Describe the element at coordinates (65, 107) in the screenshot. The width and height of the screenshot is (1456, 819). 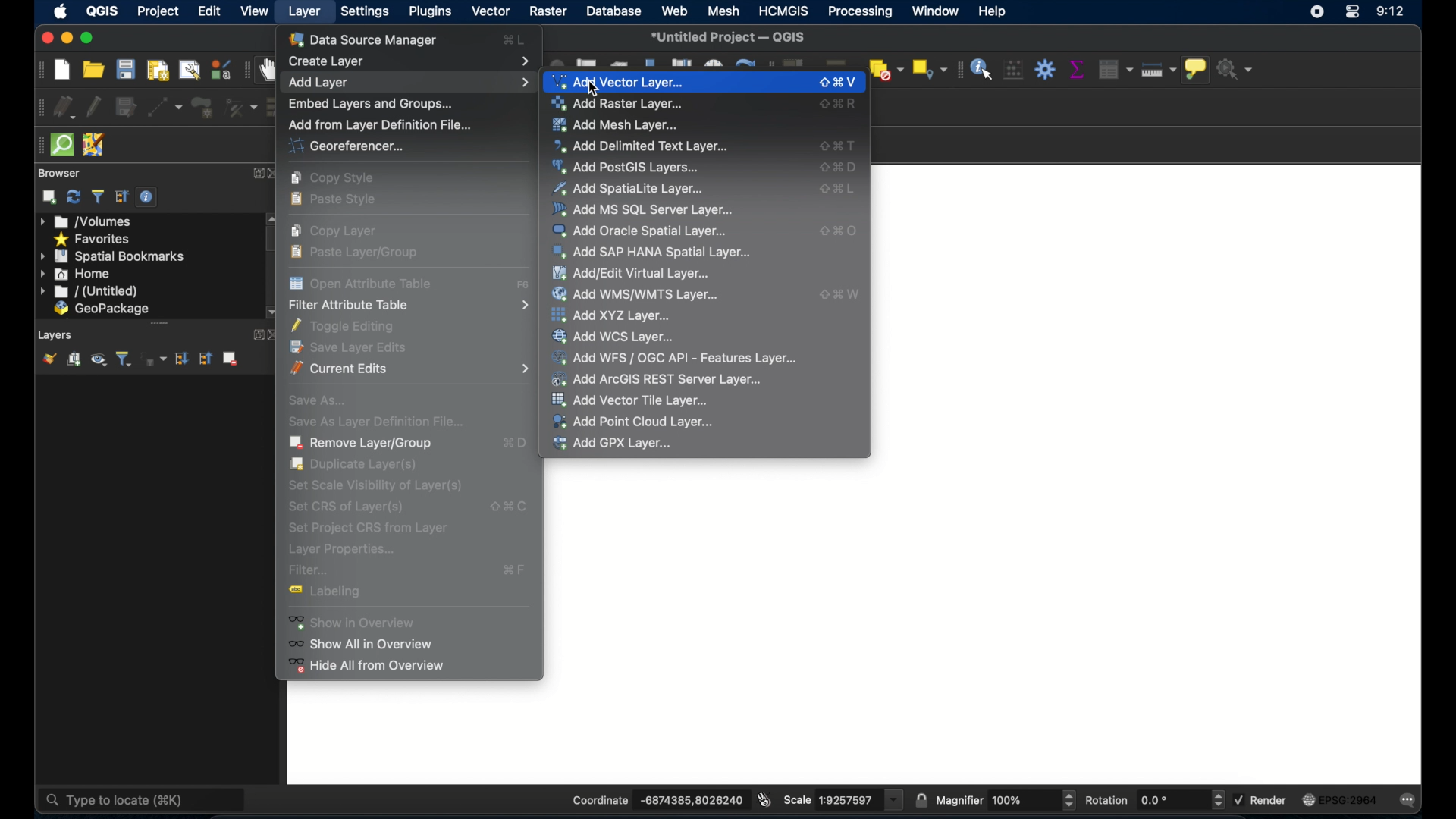
I see `curent edits` at that location.